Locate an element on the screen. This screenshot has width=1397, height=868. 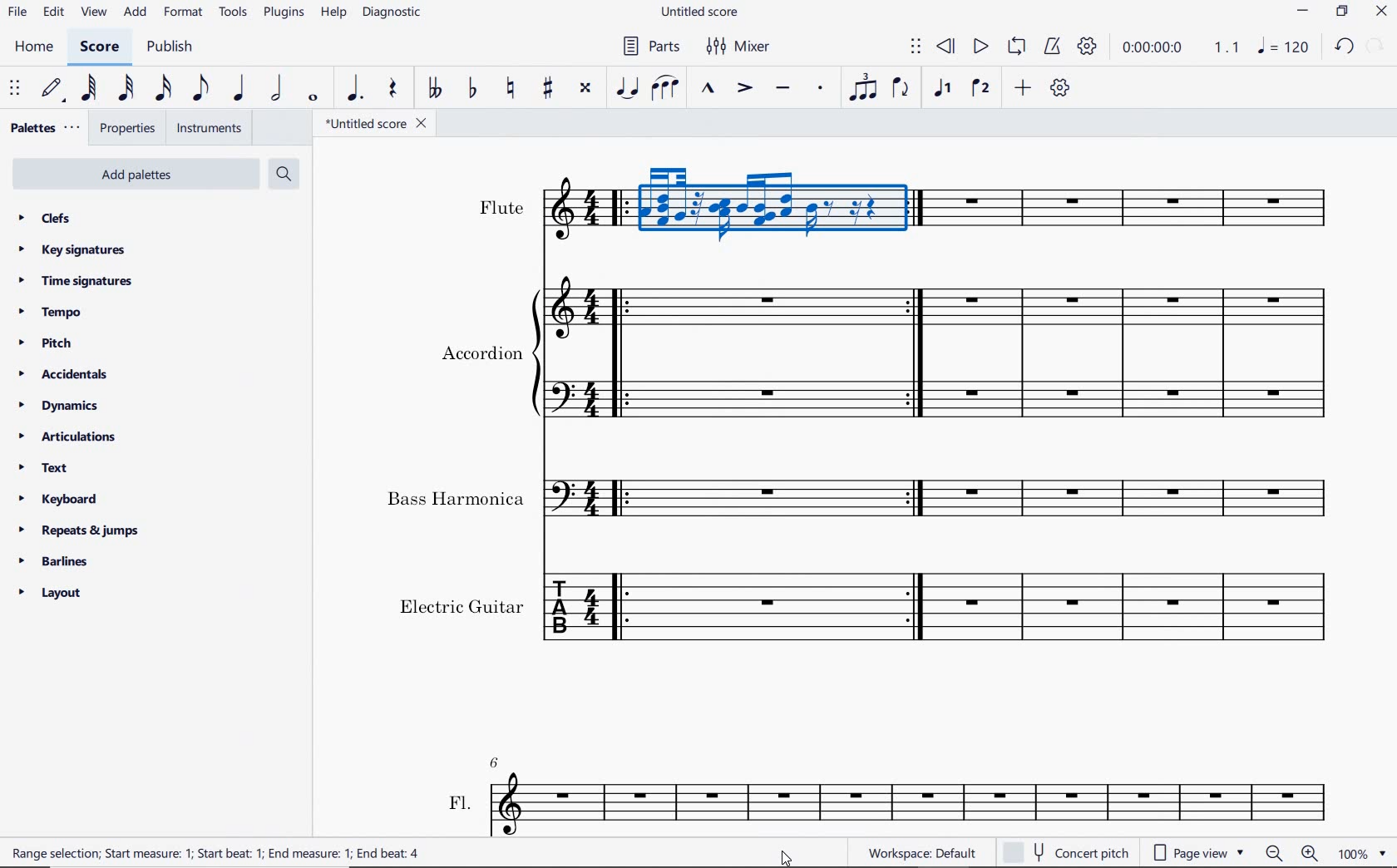
tuplet is located at coordinates (861, 87).